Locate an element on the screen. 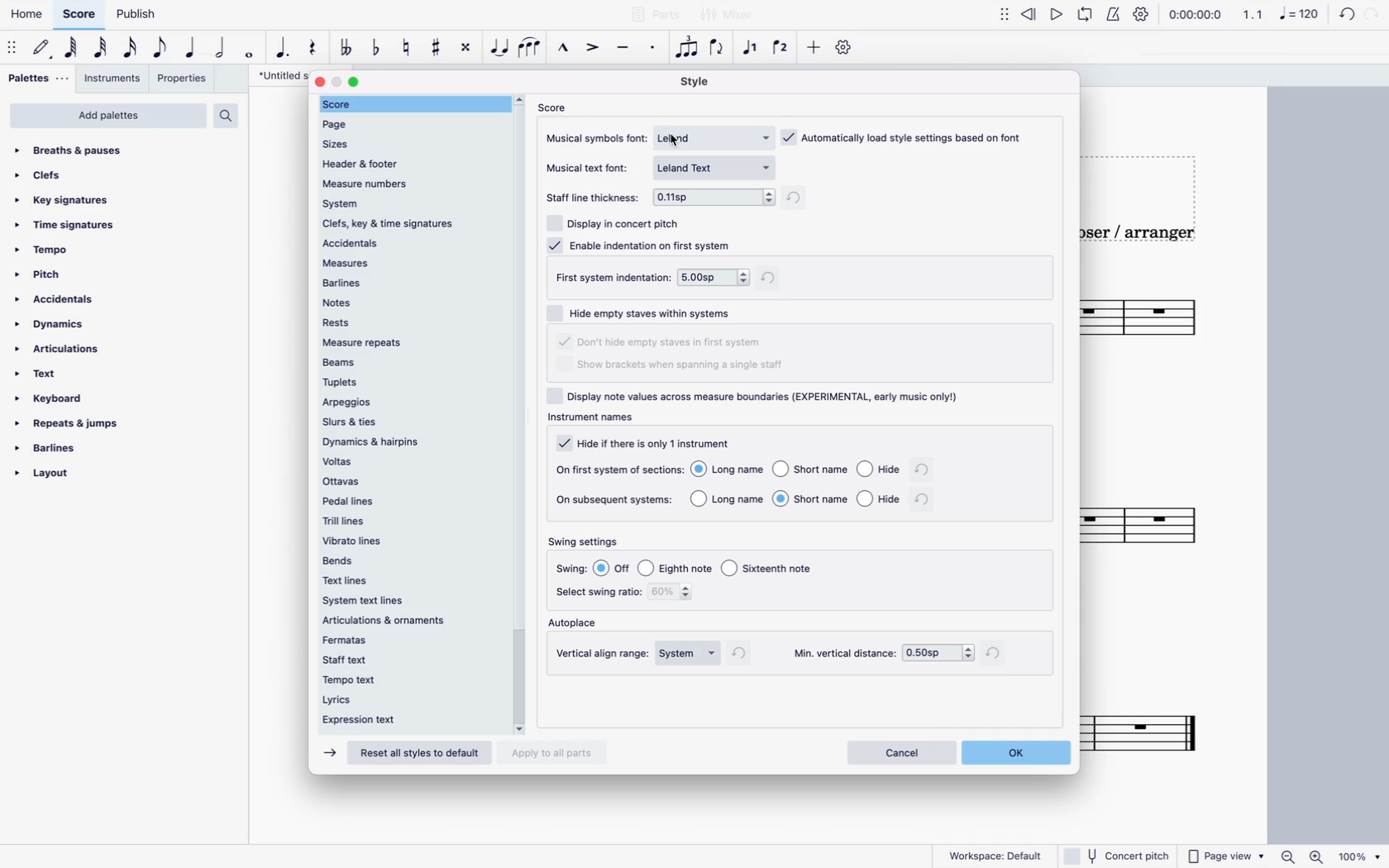 Image resolution: width=1389 pixels, height=868 pixels. default is located at coordinates (41, 46).